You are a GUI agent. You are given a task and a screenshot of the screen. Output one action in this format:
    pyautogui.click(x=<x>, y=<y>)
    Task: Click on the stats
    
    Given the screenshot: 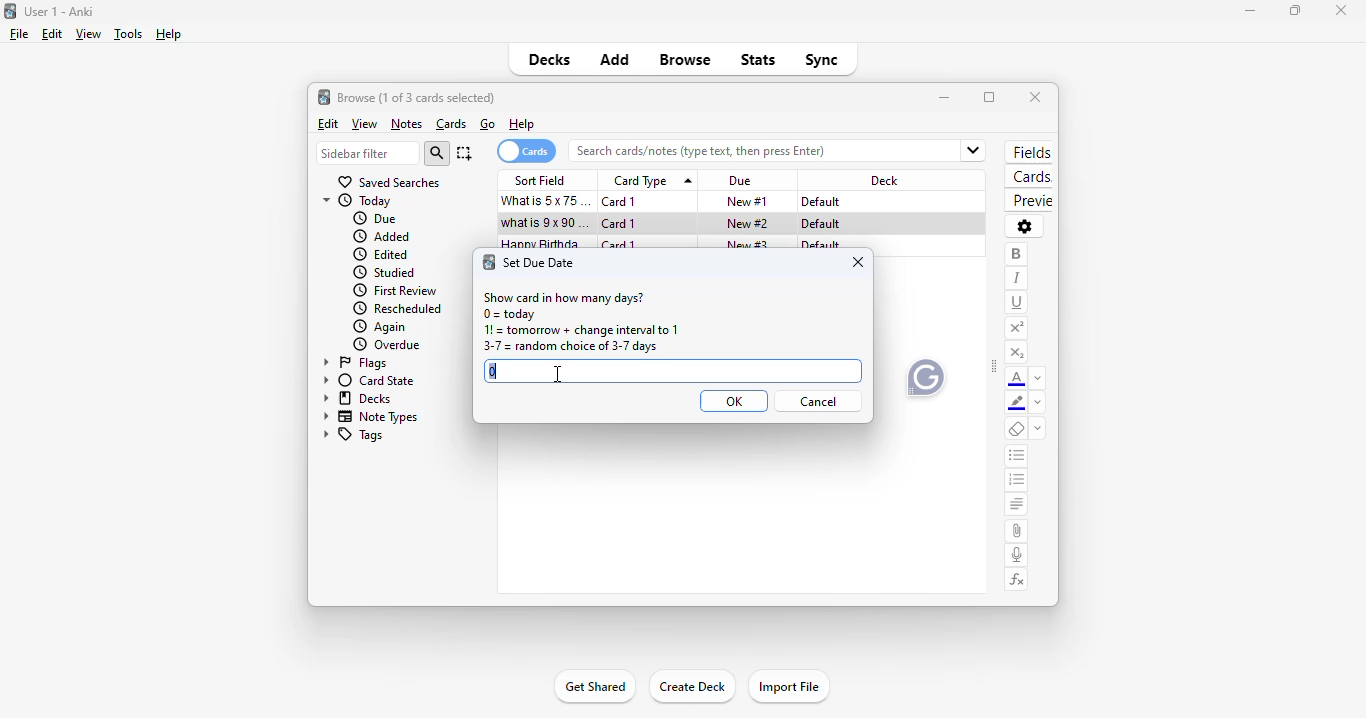 What is the action you would take?
    pyautogui.click(x=758, y=60)
    